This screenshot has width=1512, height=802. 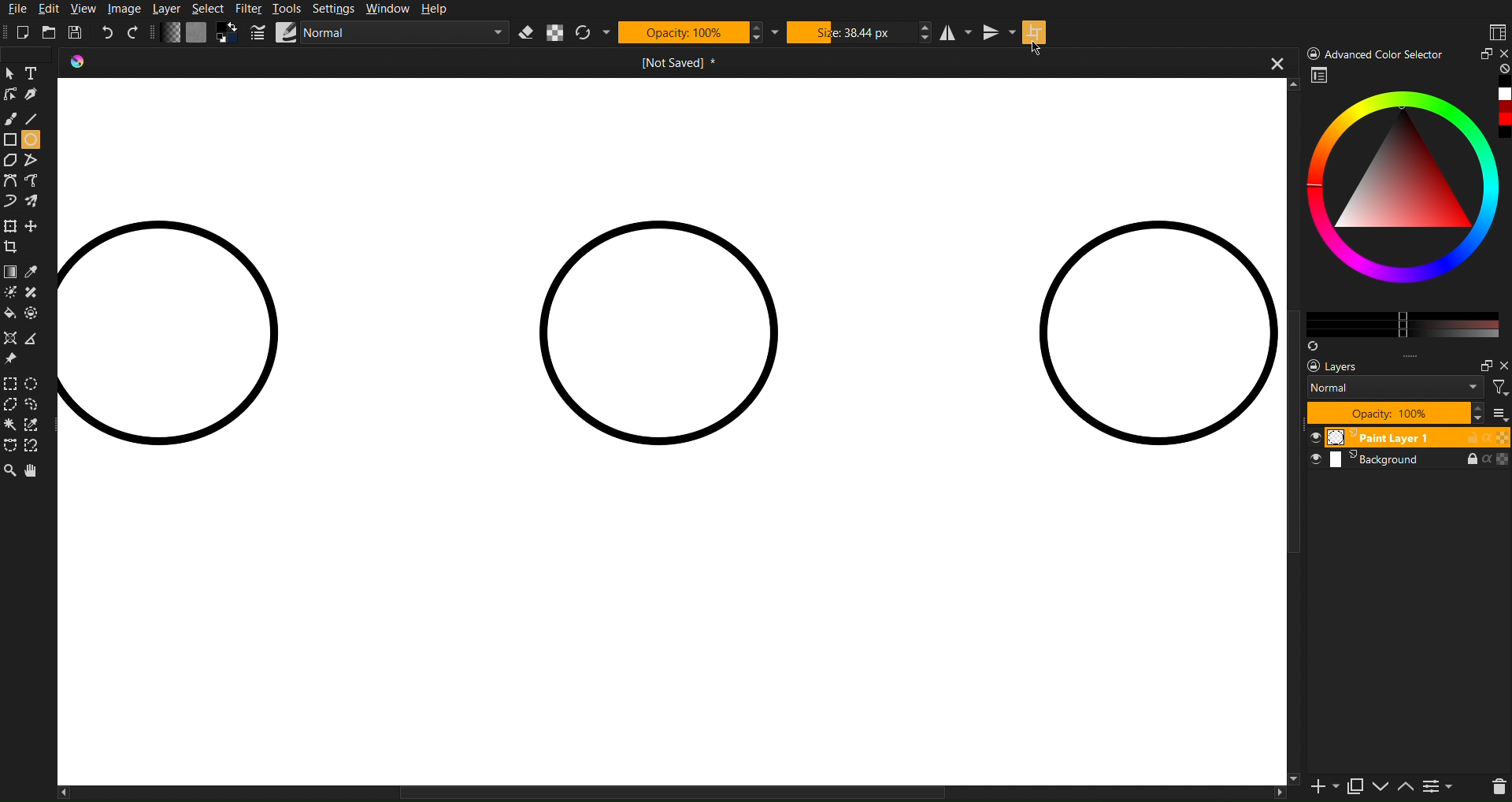 What do you see at coordinates (525, 35) in the screenshot?
I see `Erase` at bounding box center [525, 35].